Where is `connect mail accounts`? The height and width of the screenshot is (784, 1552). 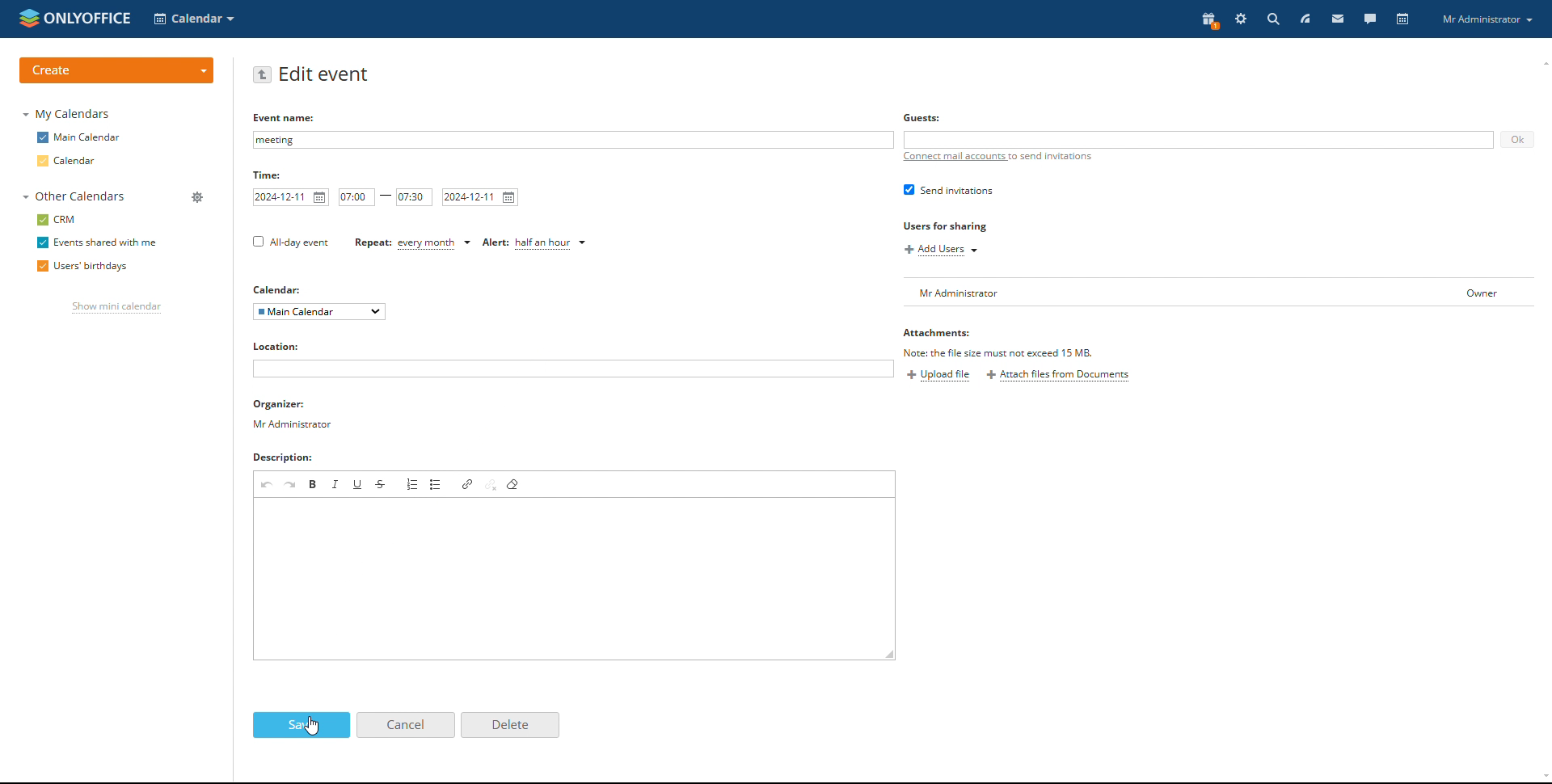 connect mail accounts is located at coordinates (997, 162).